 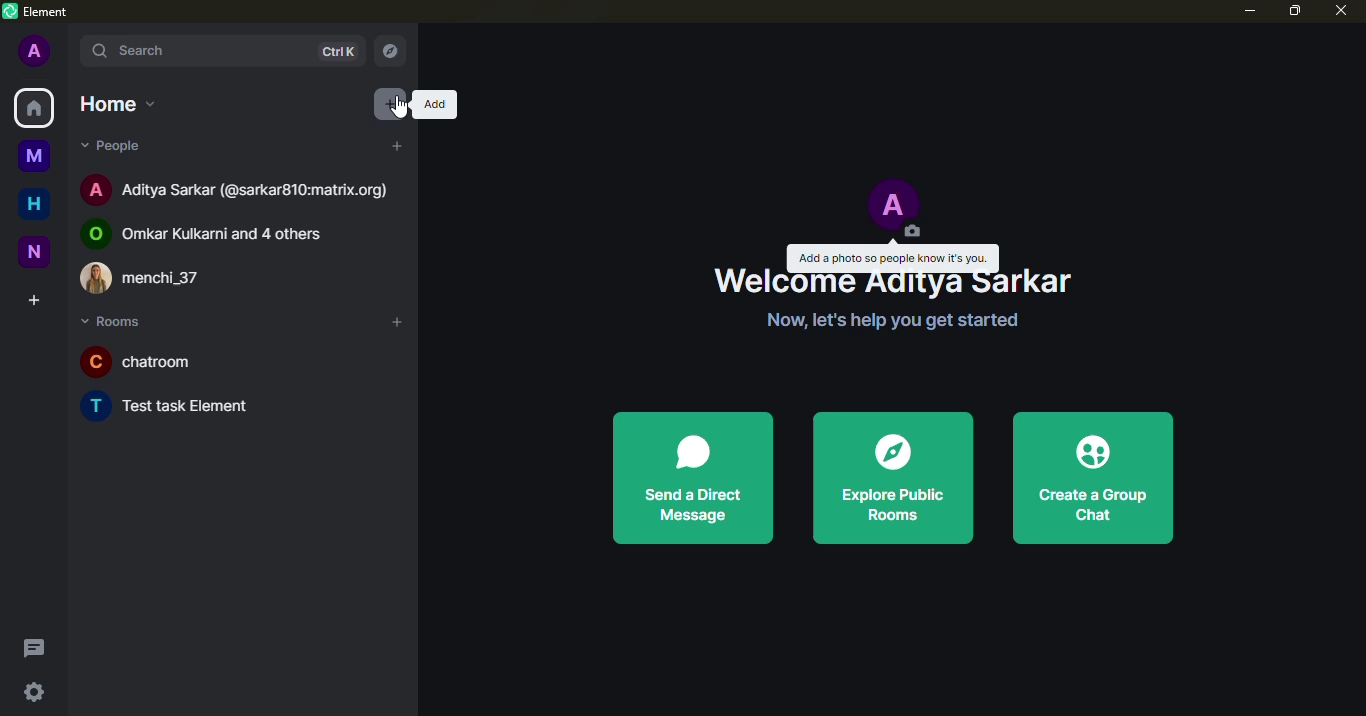 What do you see at coordinates (119, 146) in the screenshot?
I see `people` at bounding box center [119, 146].